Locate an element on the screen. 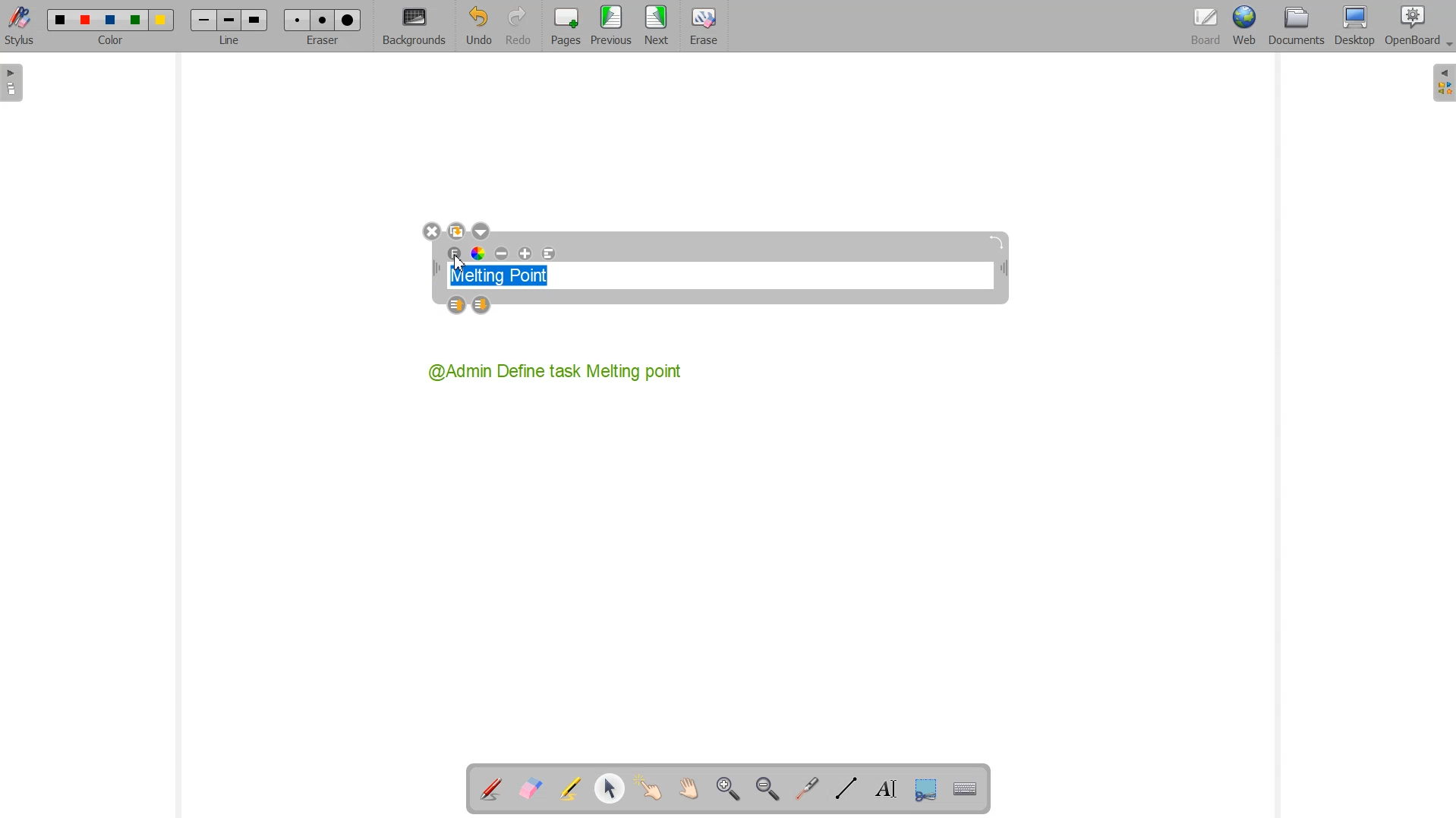  Sidebar is located at coordinates (1442, 83).